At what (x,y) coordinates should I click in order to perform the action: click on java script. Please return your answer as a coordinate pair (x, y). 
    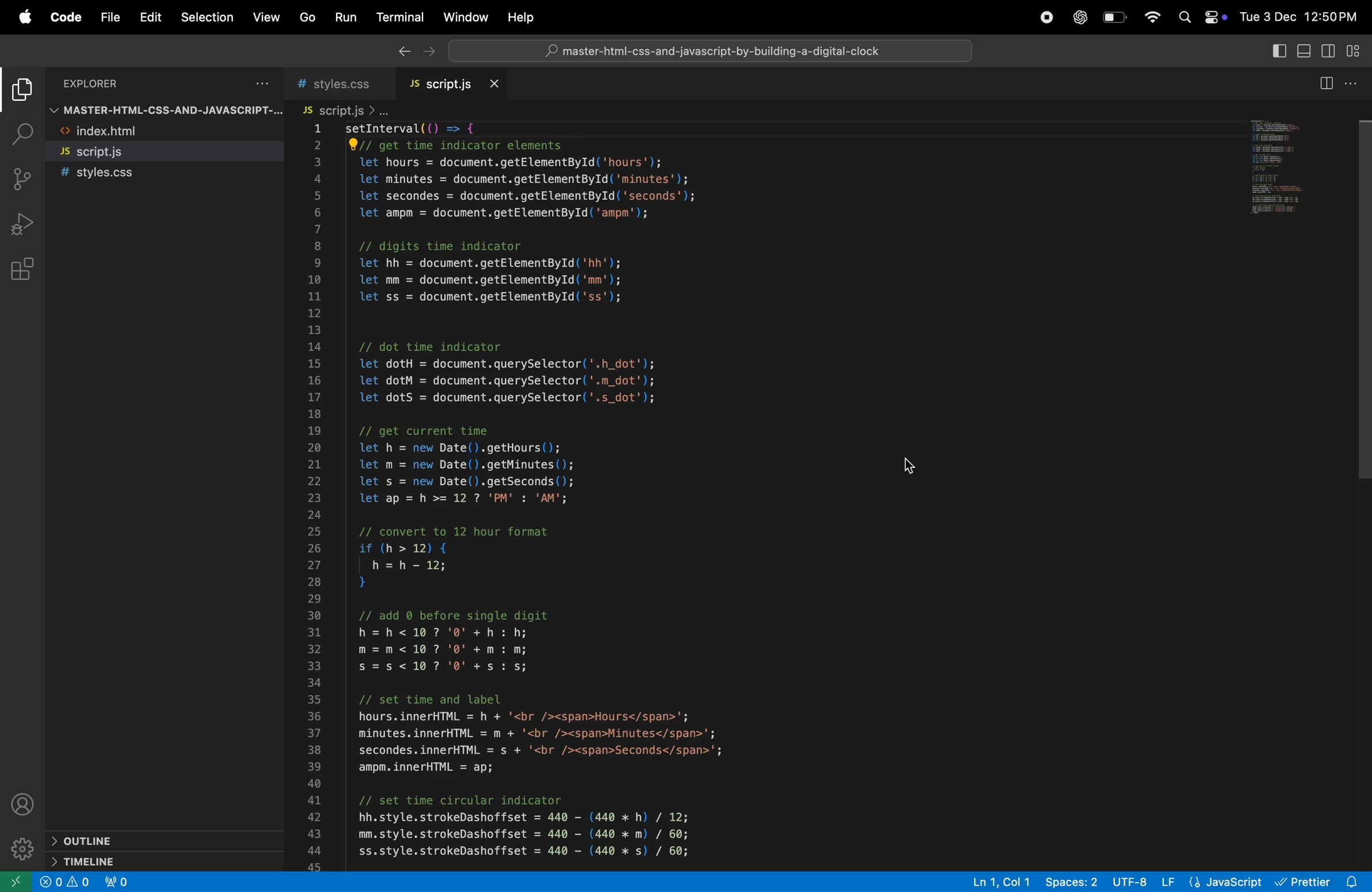
    Looking at the image, I should click on (1211, 881).